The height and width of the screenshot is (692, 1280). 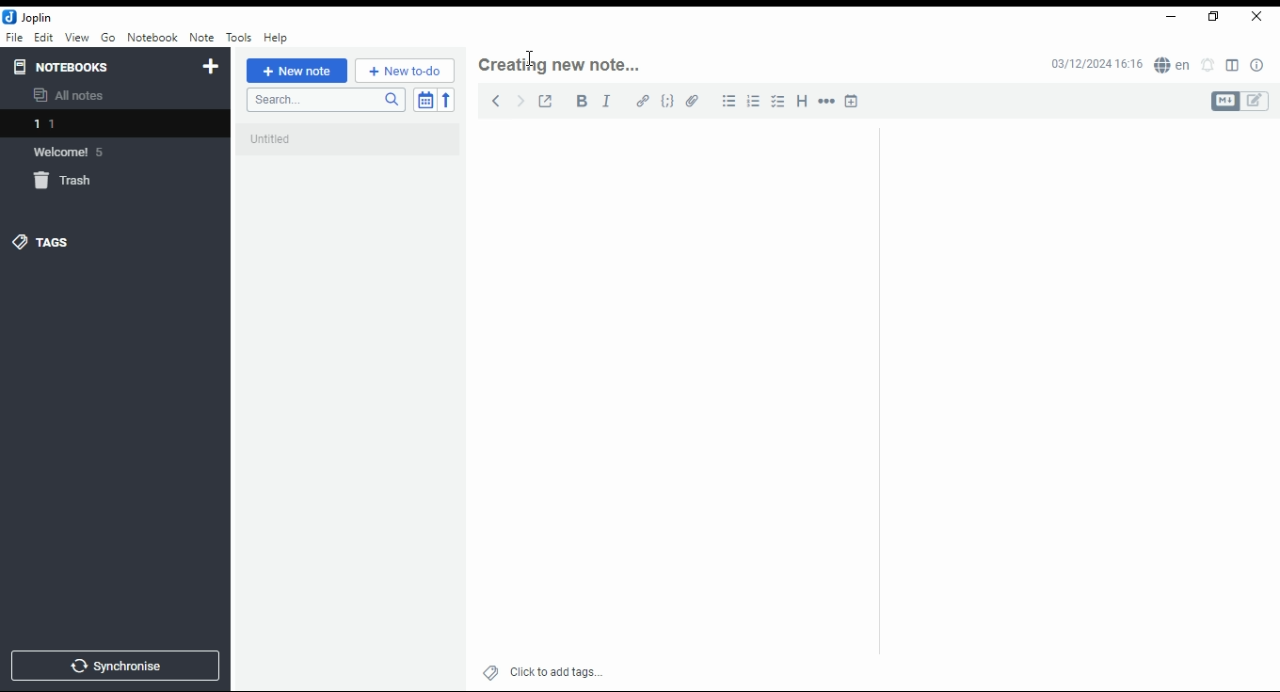 What do you see at coordinates (275, 38) in the screenshot?
I see `help` at bounding box center [275, 38].